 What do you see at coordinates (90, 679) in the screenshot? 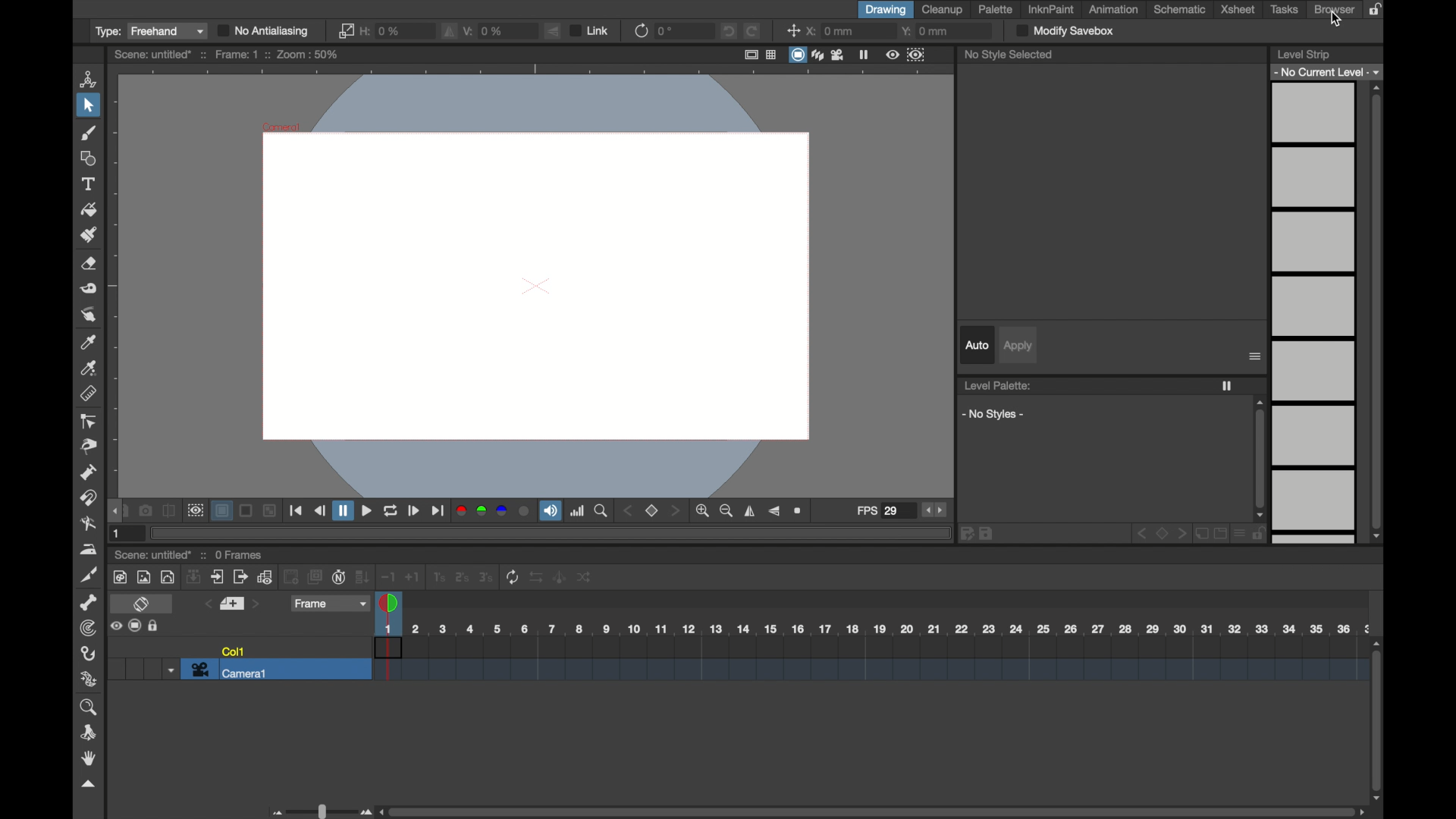
I see `plastic tool` at bounding box center [90, 679].